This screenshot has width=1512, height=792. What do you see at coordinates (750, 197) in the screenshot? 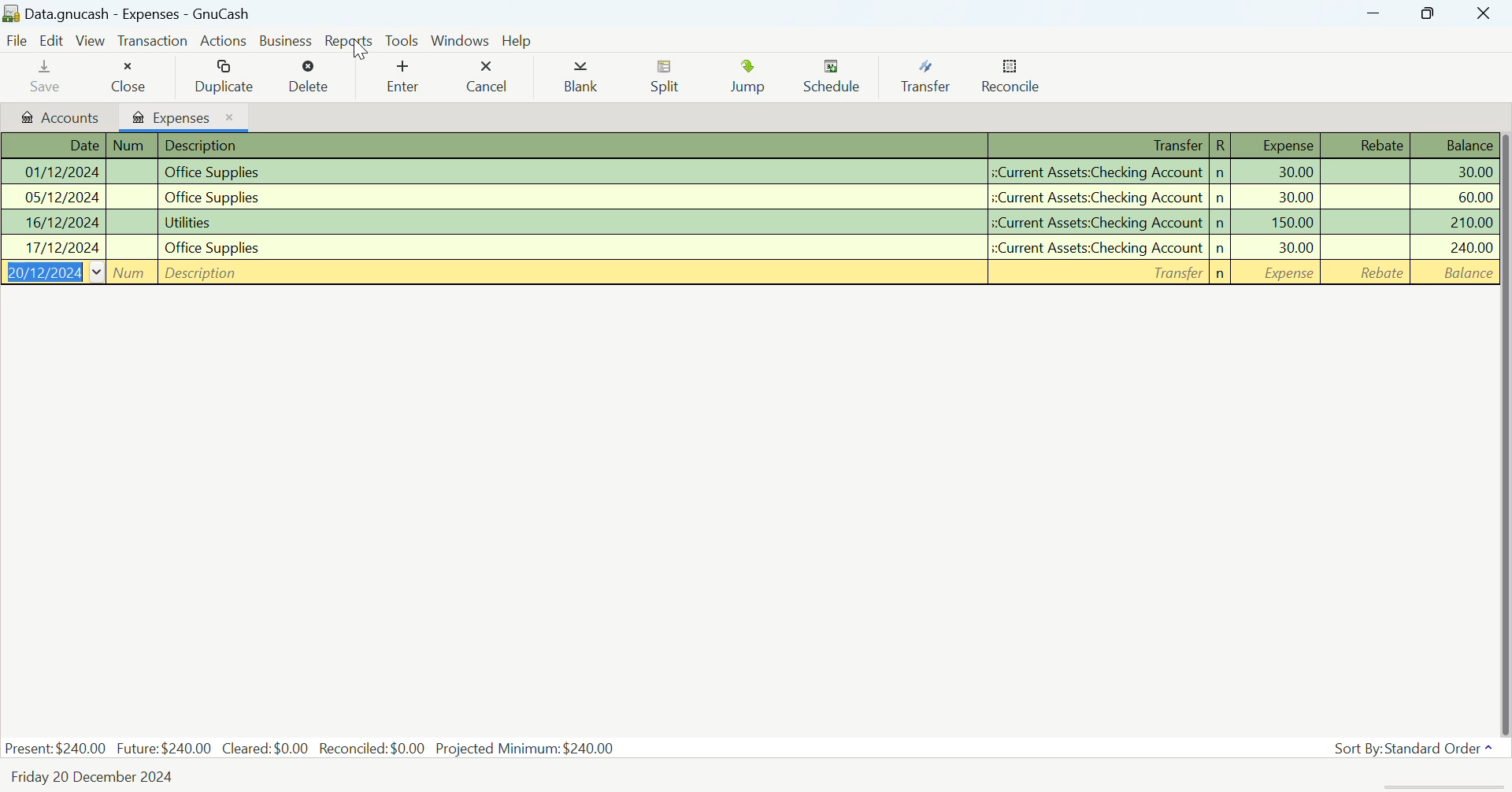
I see `Office Supplies` at bounding box center [750, 197].